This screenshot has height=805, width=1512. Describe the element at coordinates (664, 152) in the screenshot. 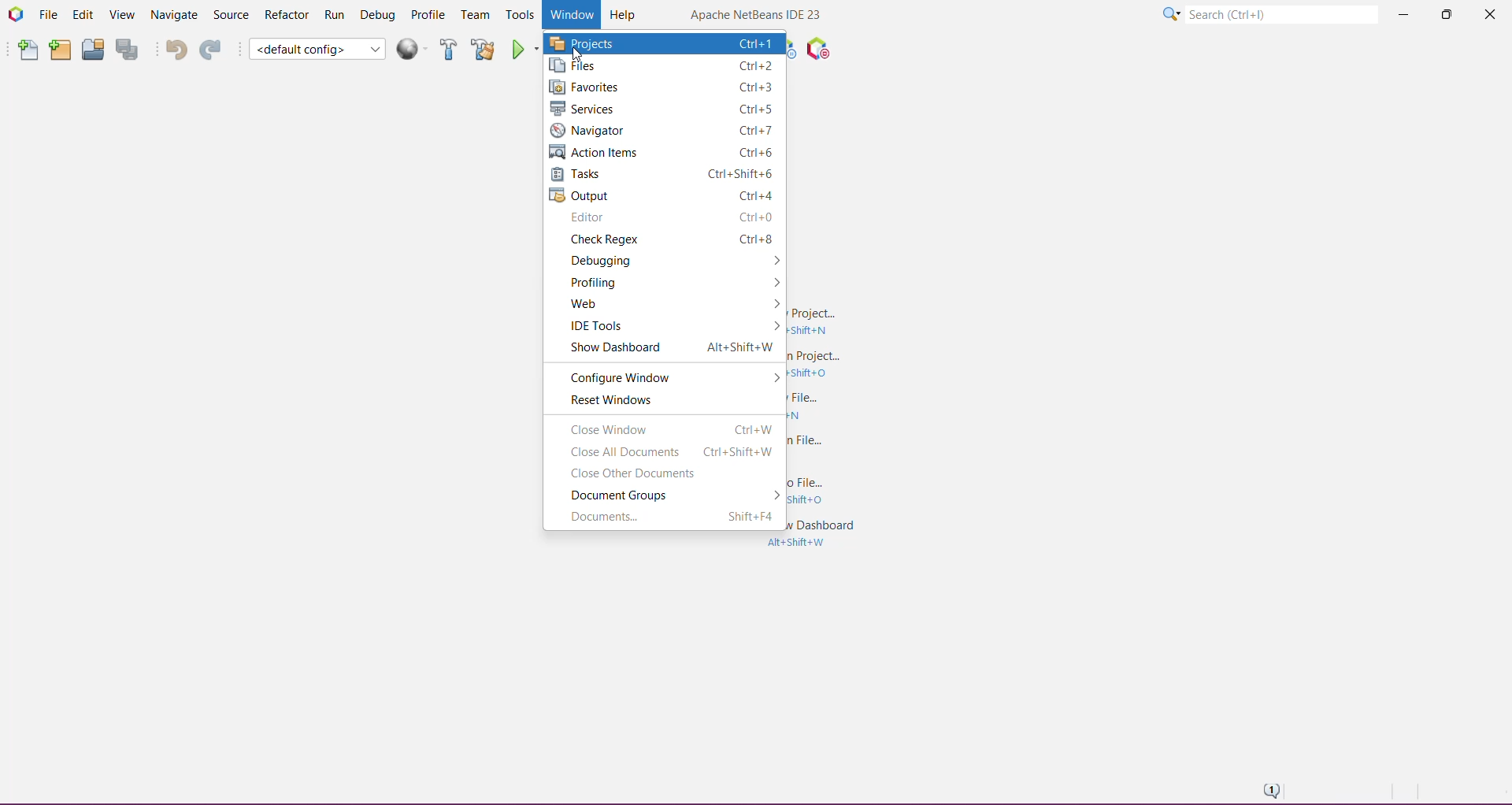

I see `Action Items` at that location.